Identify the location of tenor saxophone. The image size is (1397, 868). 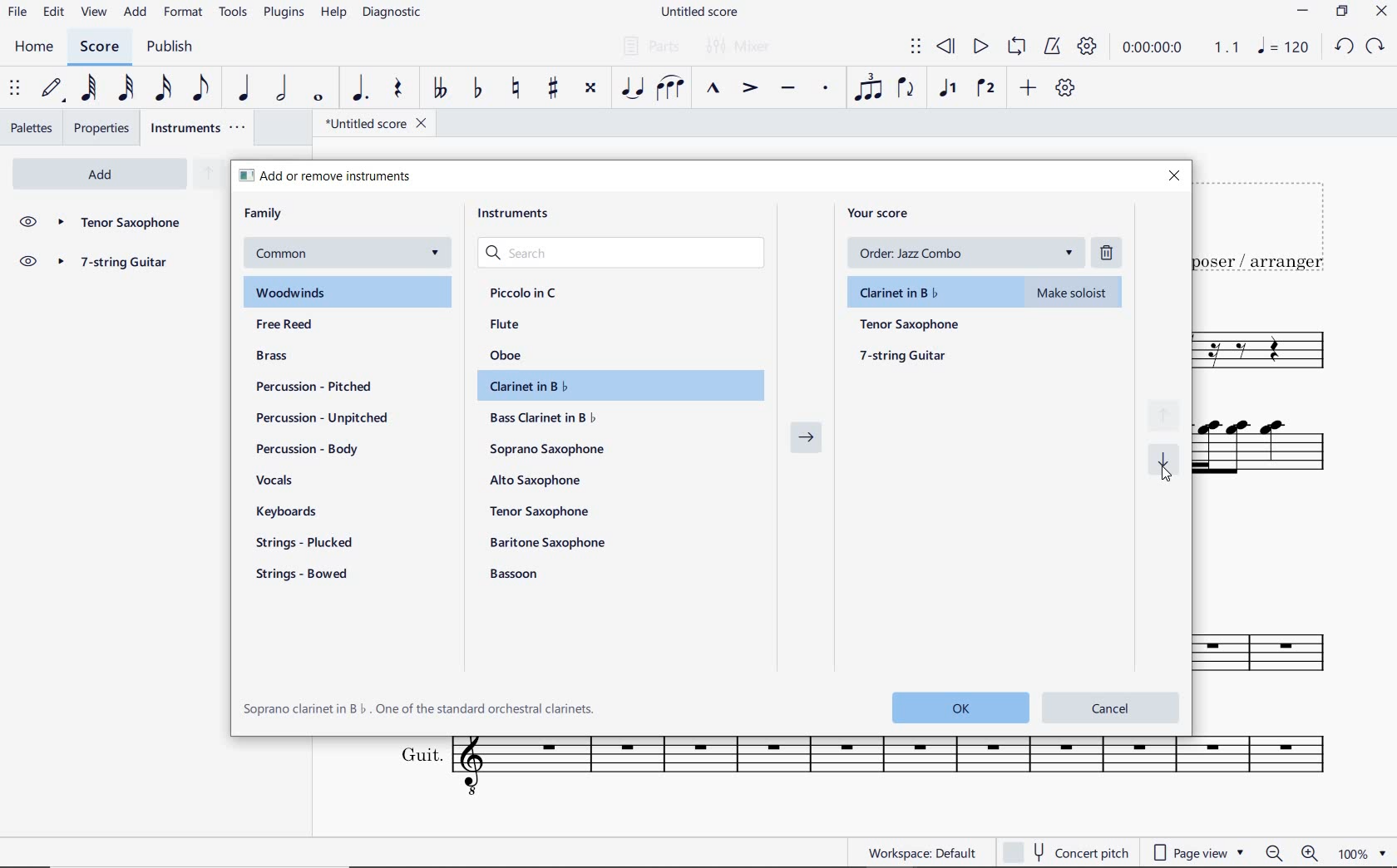
(911, 325).